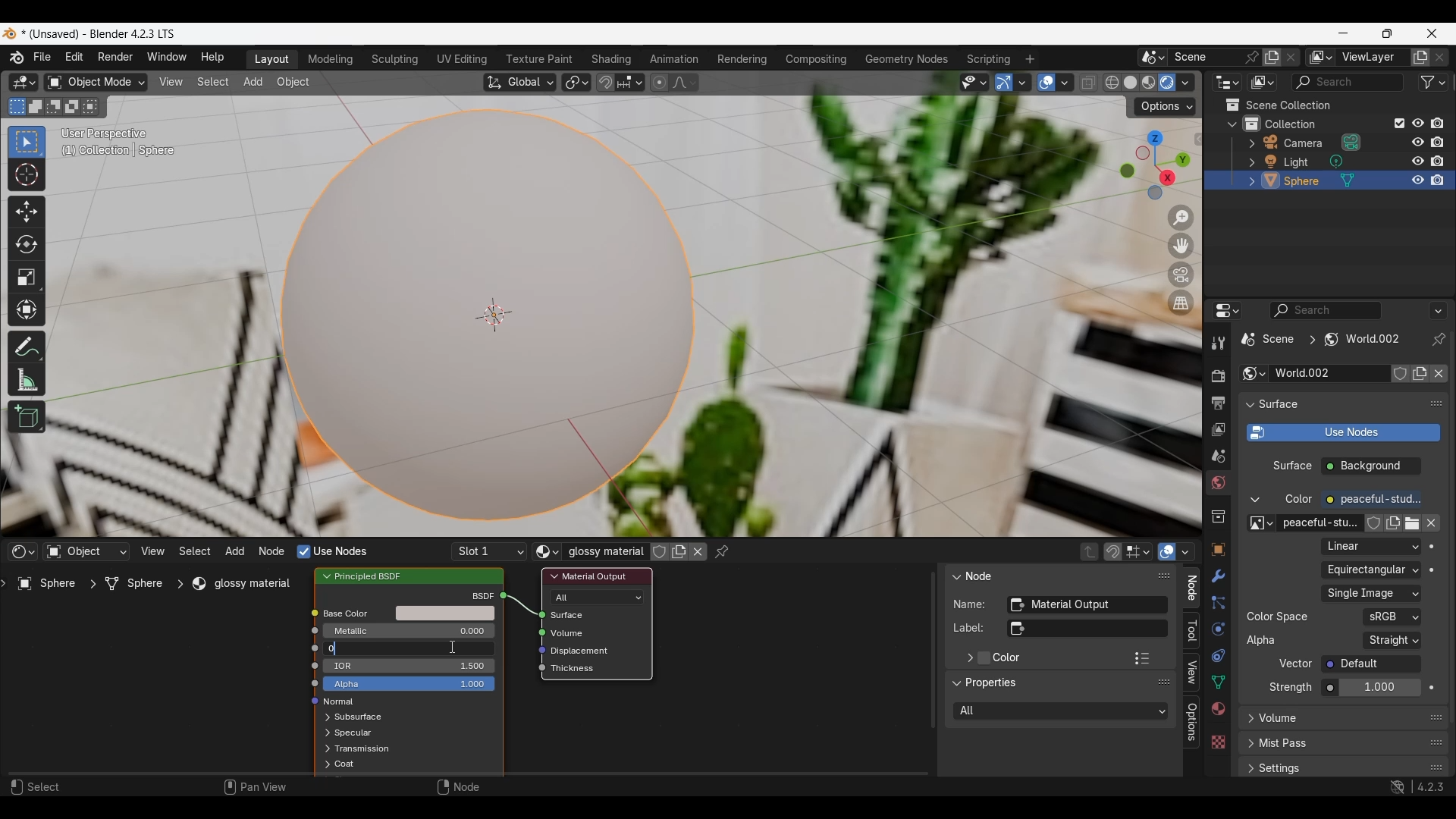  What do you see at coordinates (1374, 523) in the screenshot?
I see `Fake user` at bounding box center [1374, 523].